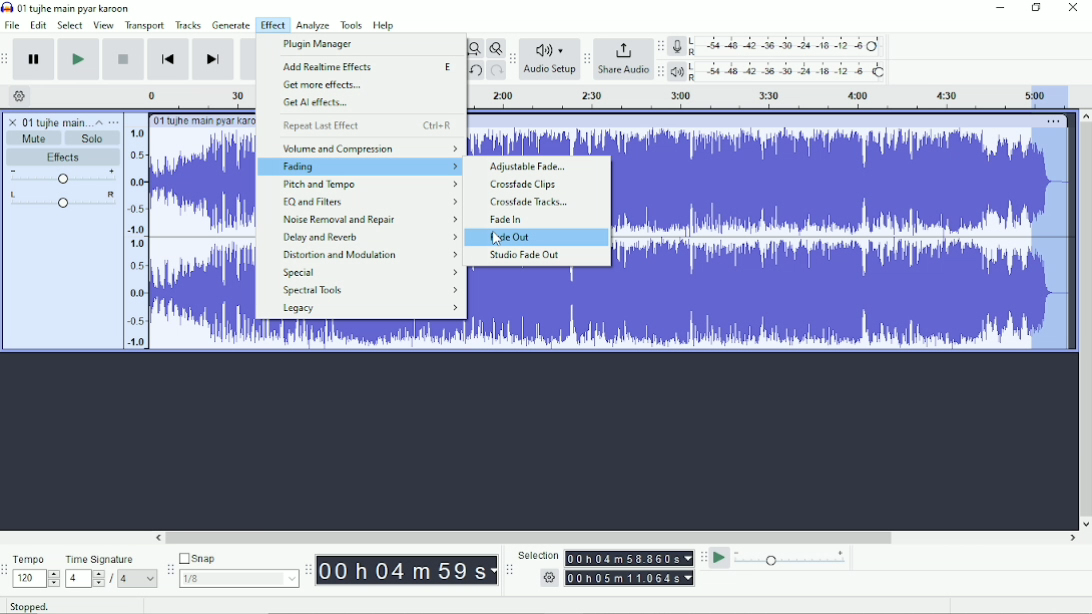  Describe the element at coordinates (317, 44) in the screenshot. I see `Plugin Manager` at that location.